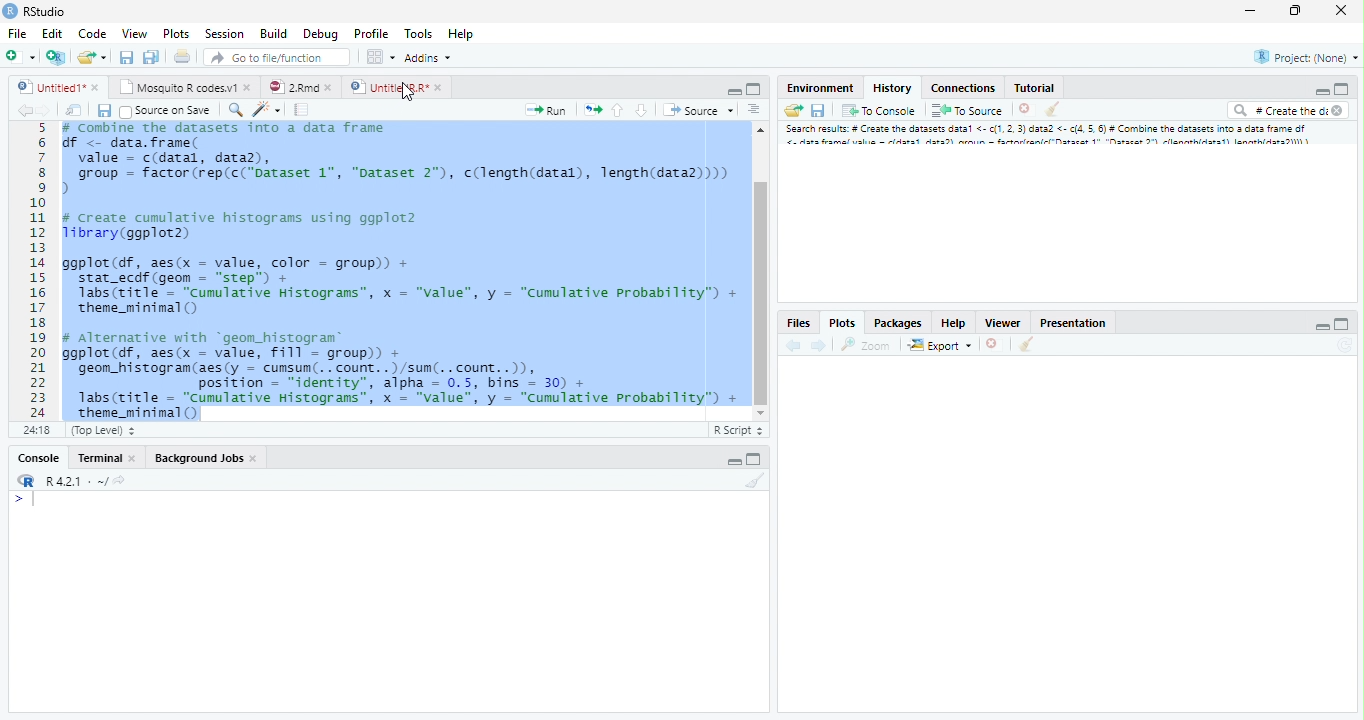 This screenshot has height=720, width=1364. Describe the element at coordinates (207, 458) in the screenshot. I see `Background Jobs` at that location.